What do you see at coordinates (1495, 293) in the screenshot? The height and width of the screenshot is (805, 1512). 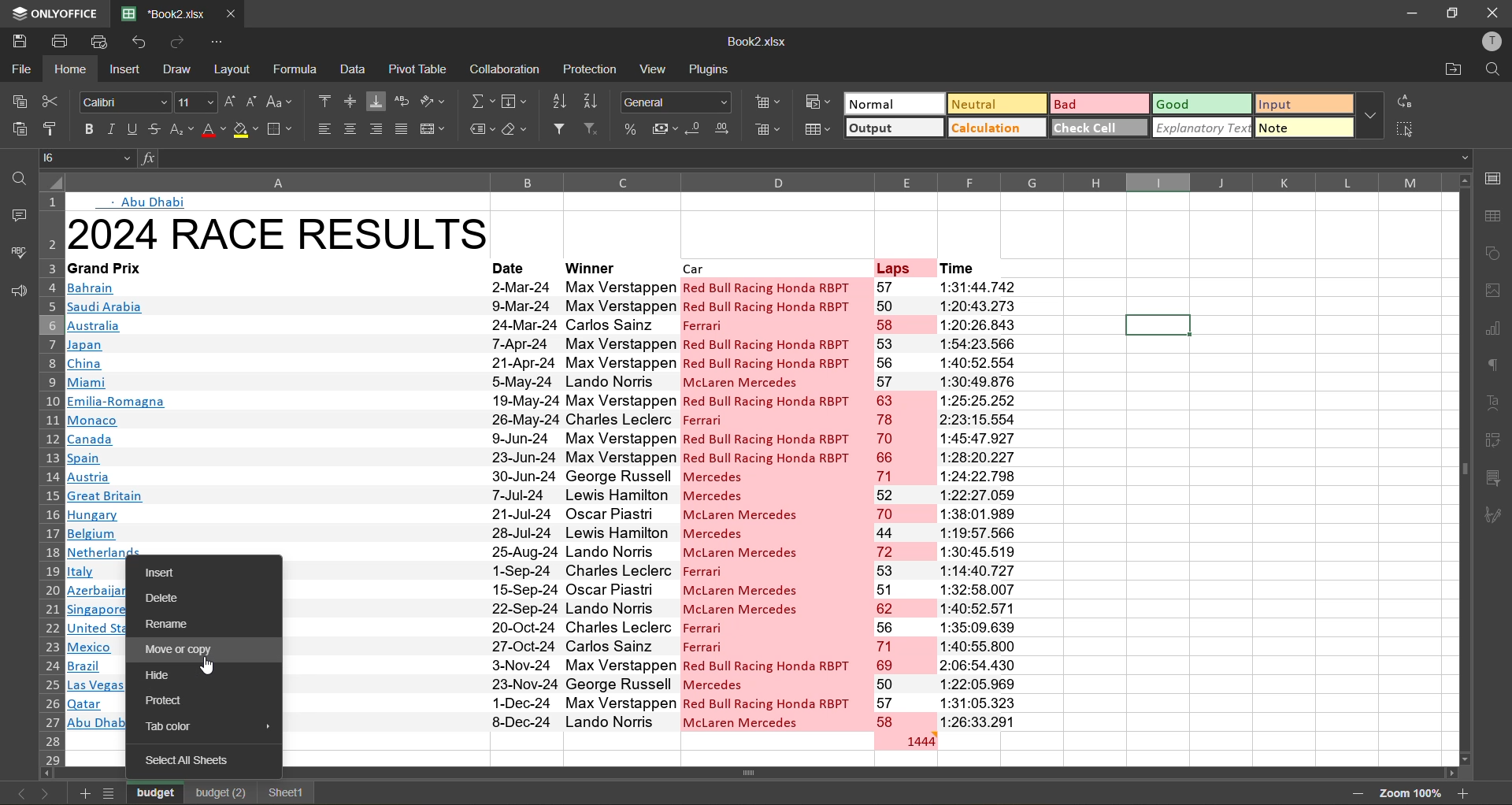 I see `images` at bounding box center [1495, 293].